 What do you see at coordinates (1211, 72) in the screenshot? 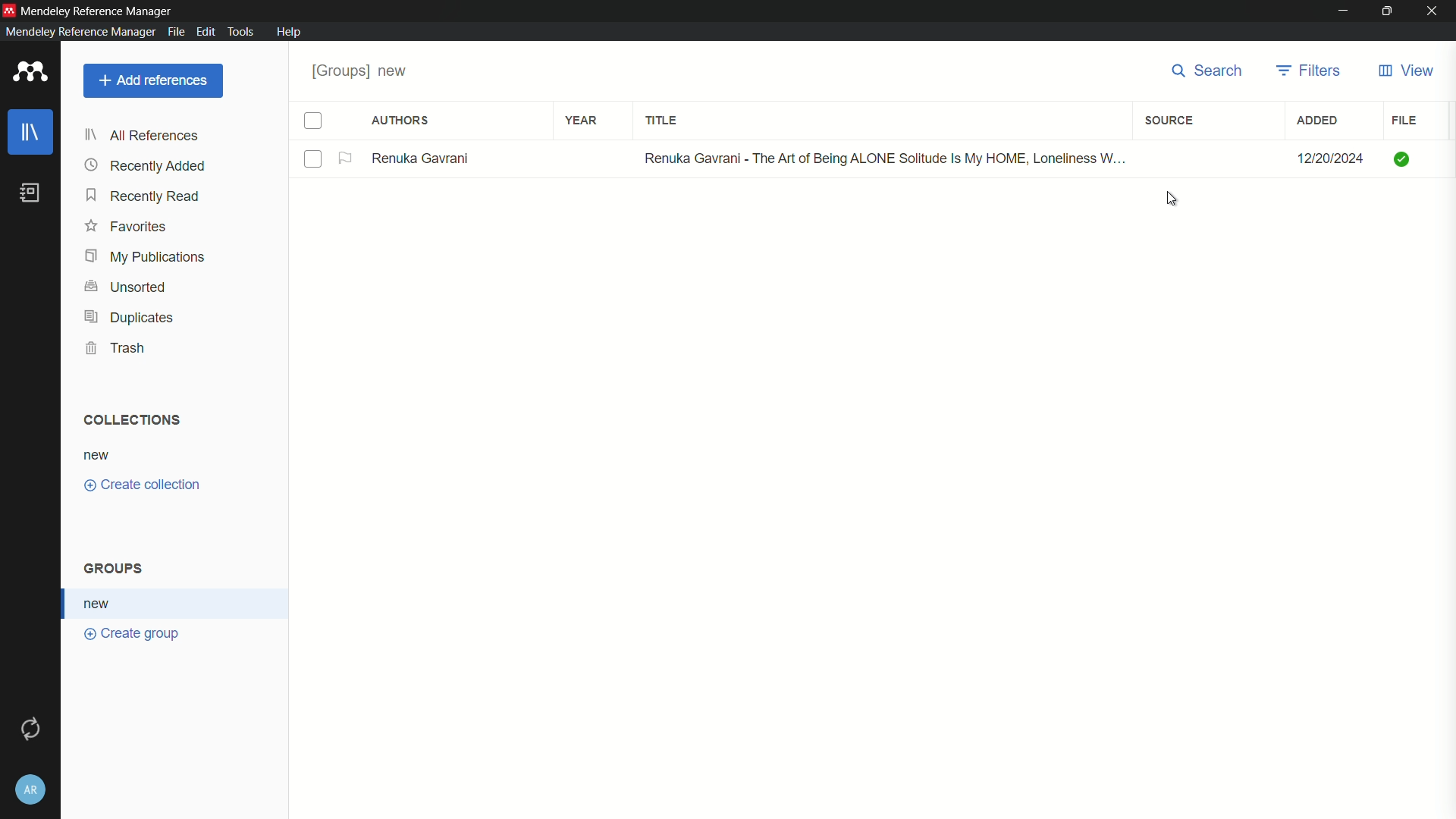
I see `search` at bounding box center [1211, 72].